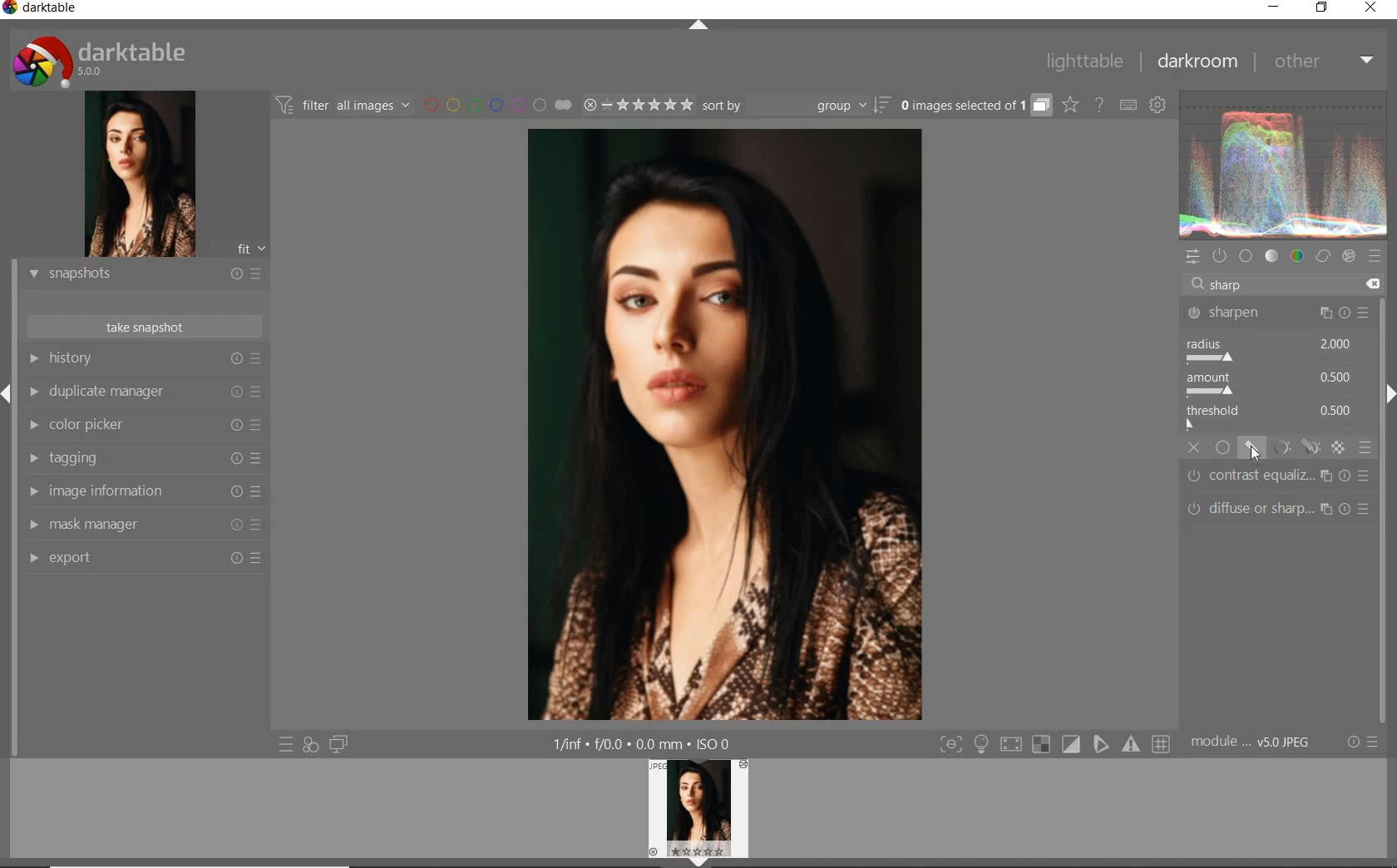  I want to click on show only active modules, so click(1222, 255).